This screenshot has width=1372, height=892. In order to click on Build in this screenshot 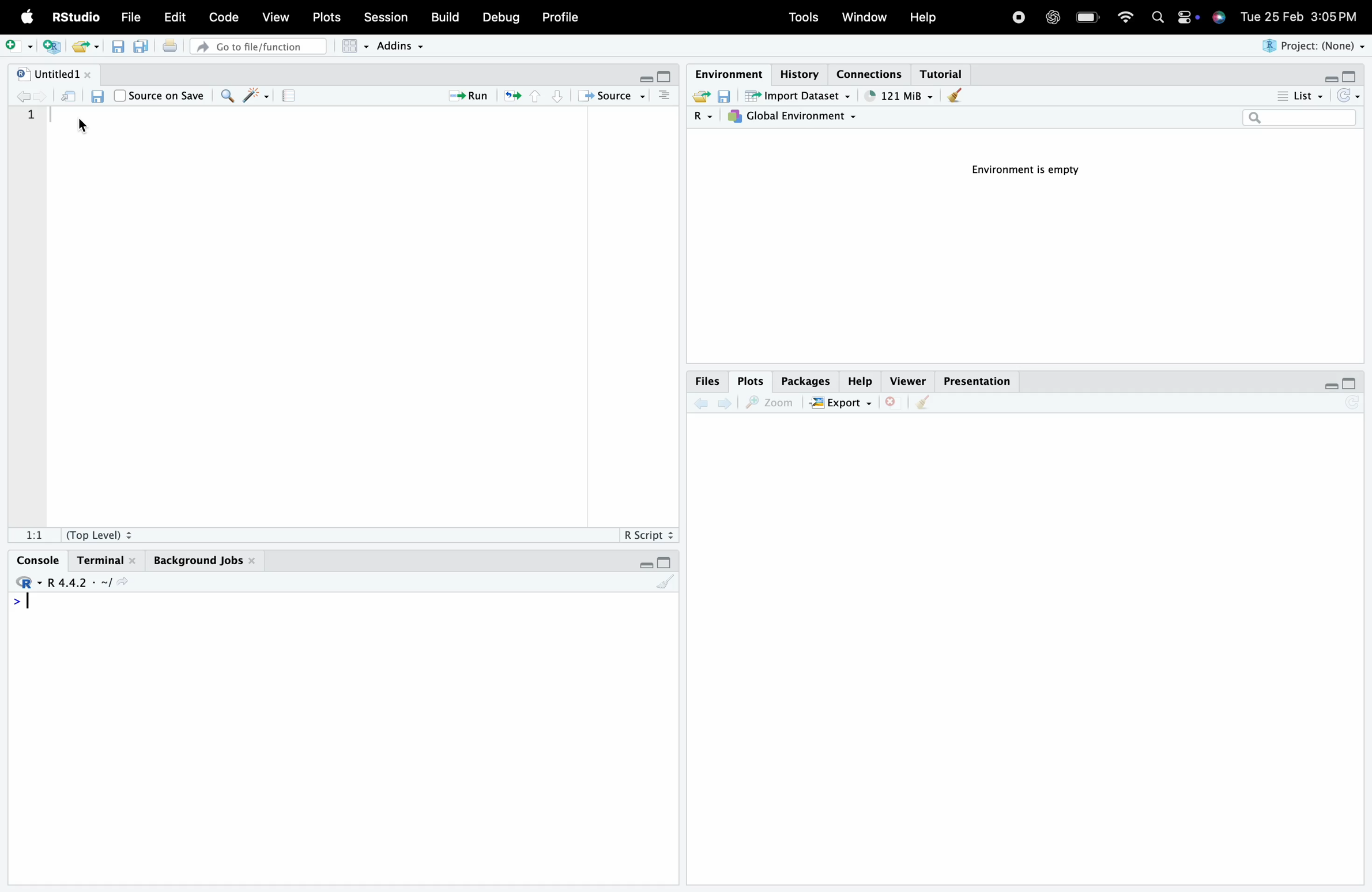, I will do `click(444, 18)`.